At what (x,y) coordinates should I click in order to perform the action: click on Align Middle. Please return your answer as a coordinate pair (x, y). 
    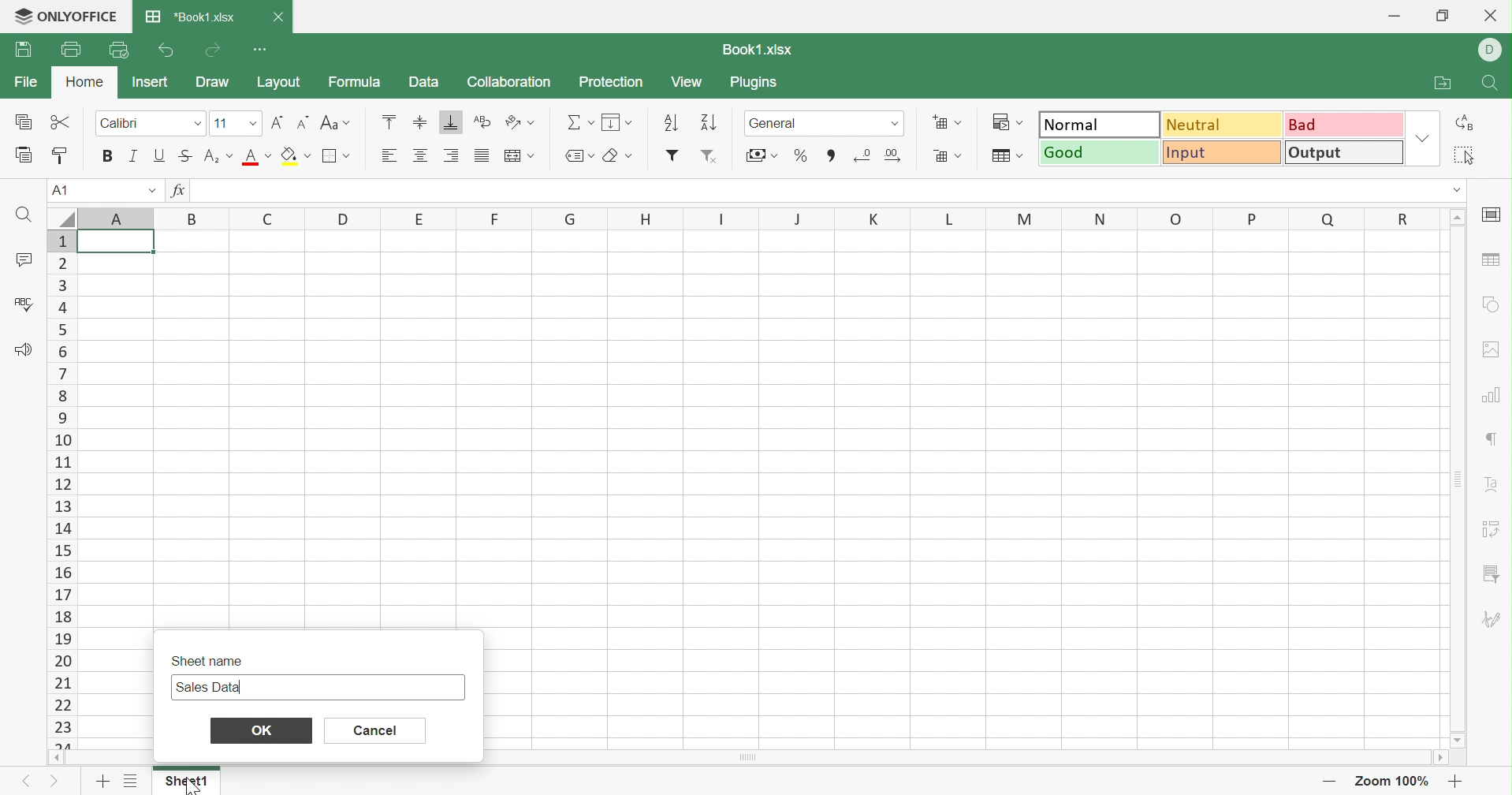
    Looking at the image, I should click on (419, 121).